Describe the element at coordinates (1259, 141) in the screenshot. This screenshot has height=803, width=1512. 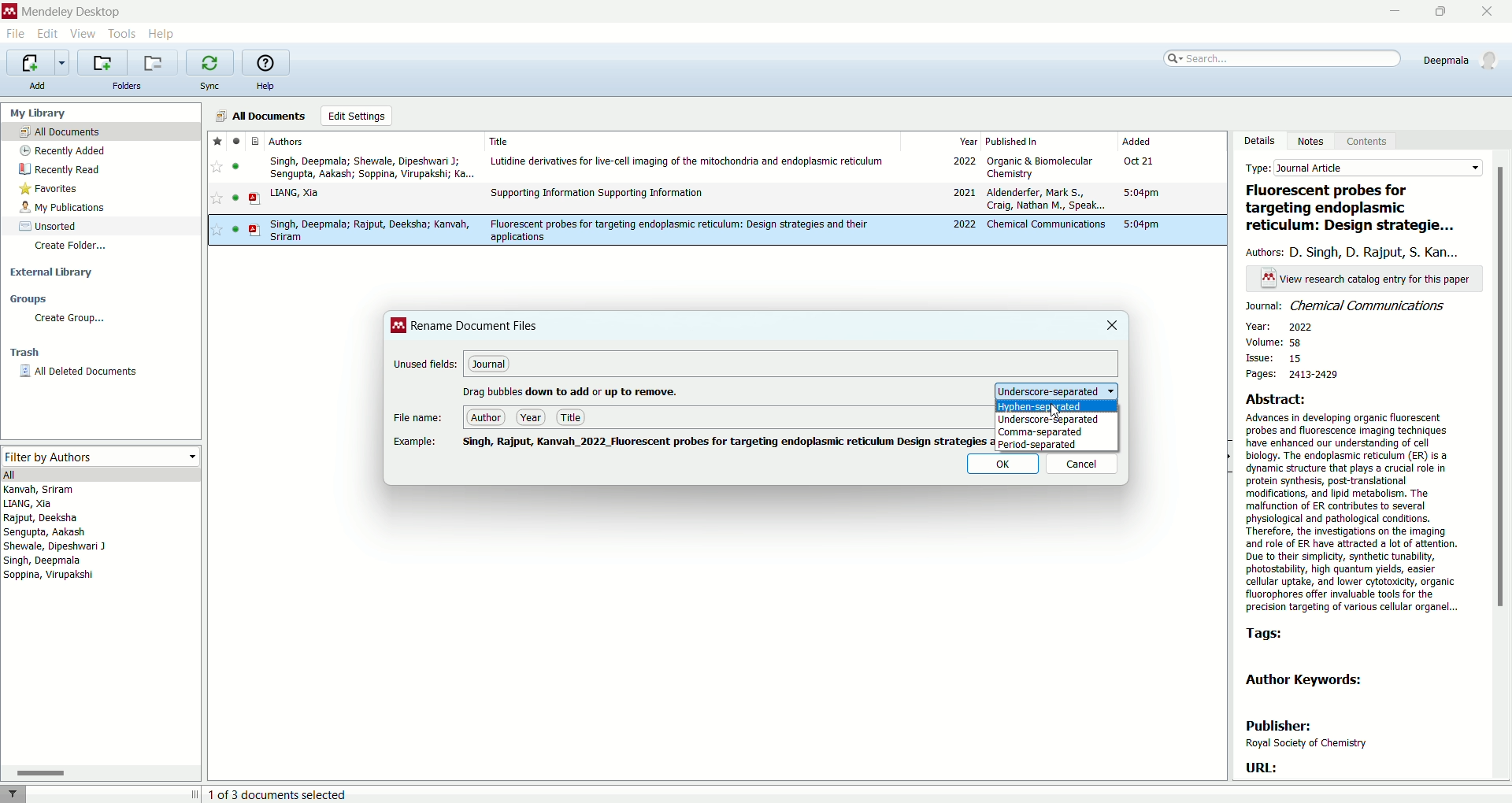
I see `details` at that location.